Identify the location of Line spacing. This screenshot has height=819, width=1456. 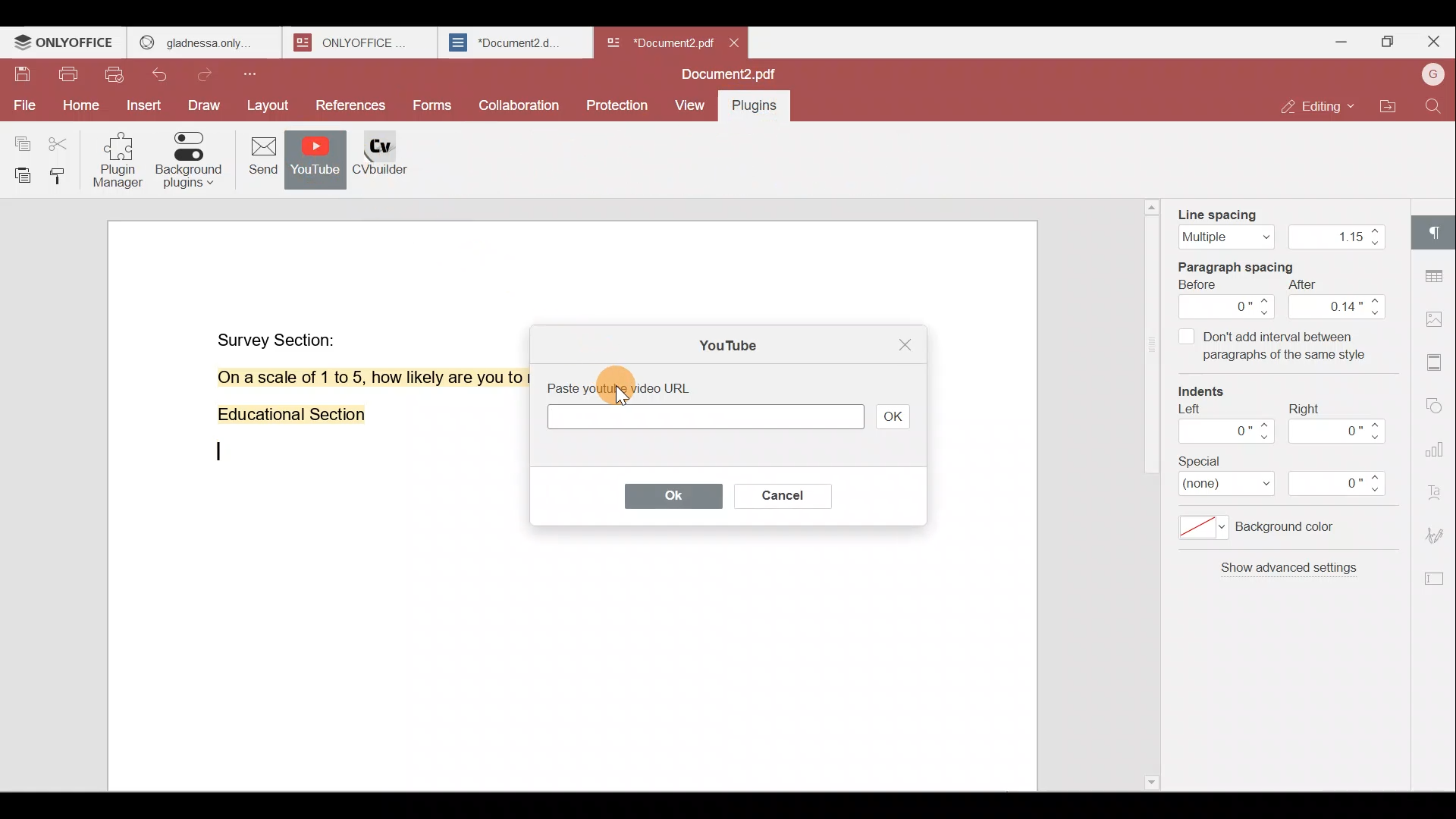
(1279, 224).